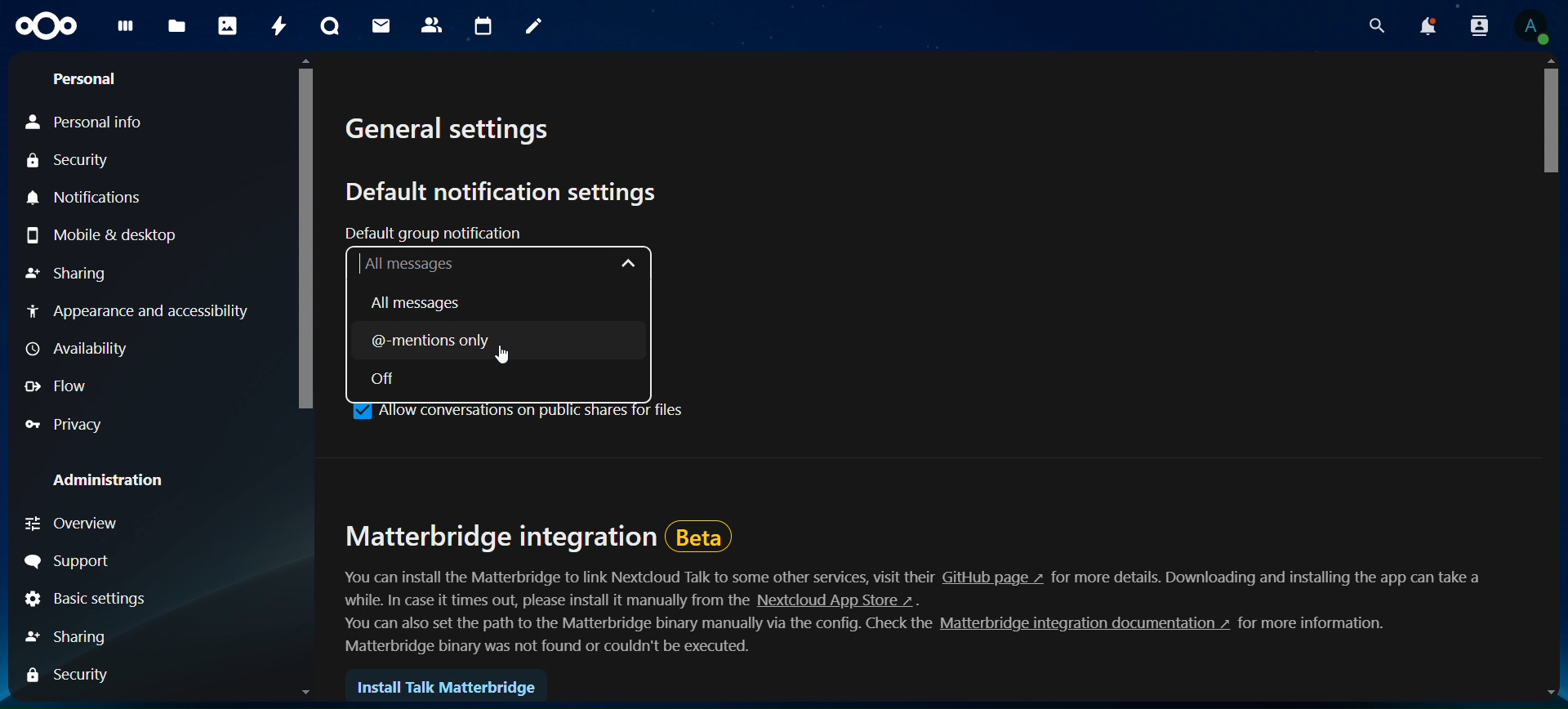  What do you see at coordinates (180, 27) in the screenshot?
I see `files` at bounding box center [180, 27].